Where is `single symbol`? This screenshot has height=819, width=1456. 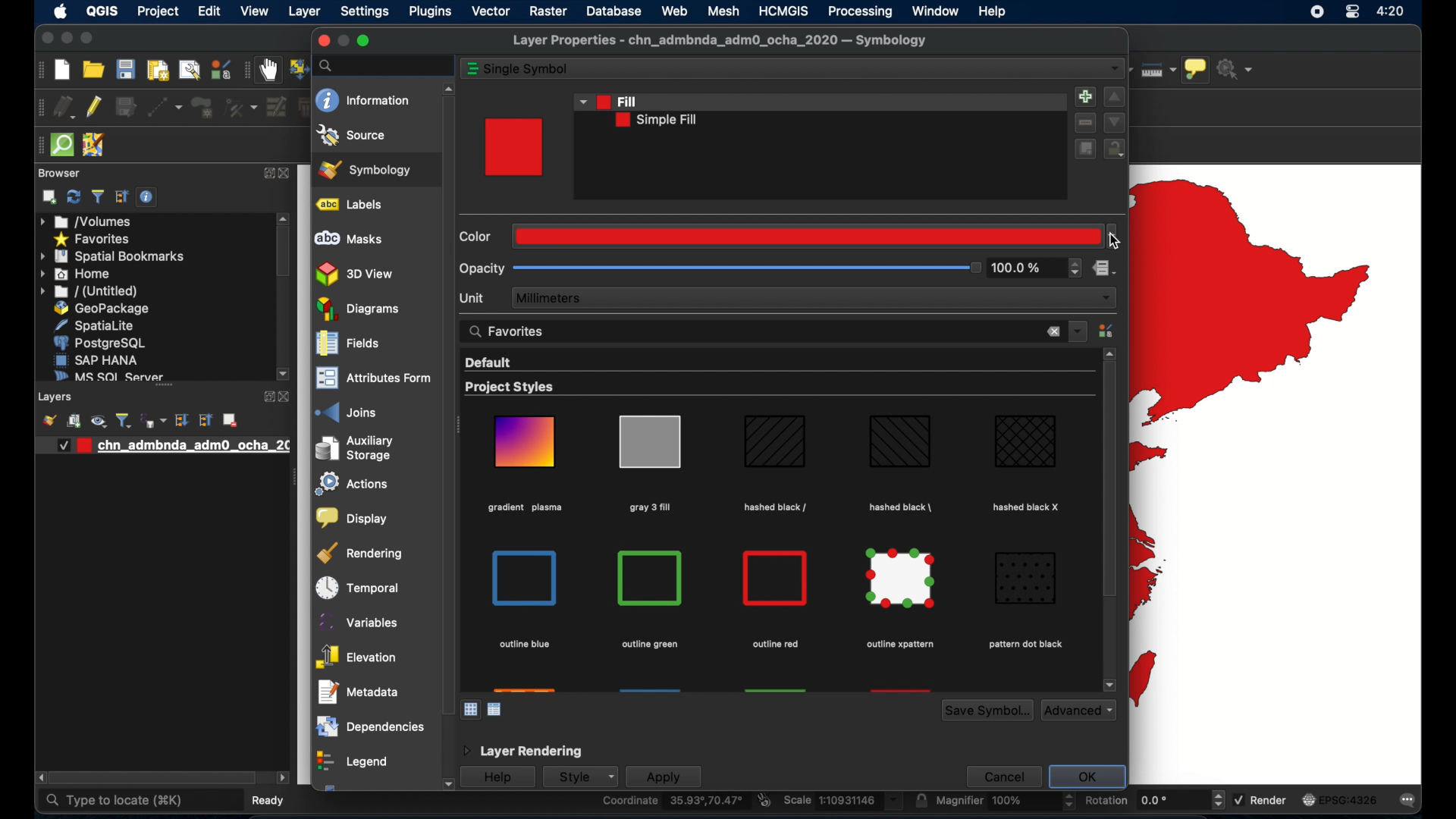 single symbol is located at coordinates (529, 69).